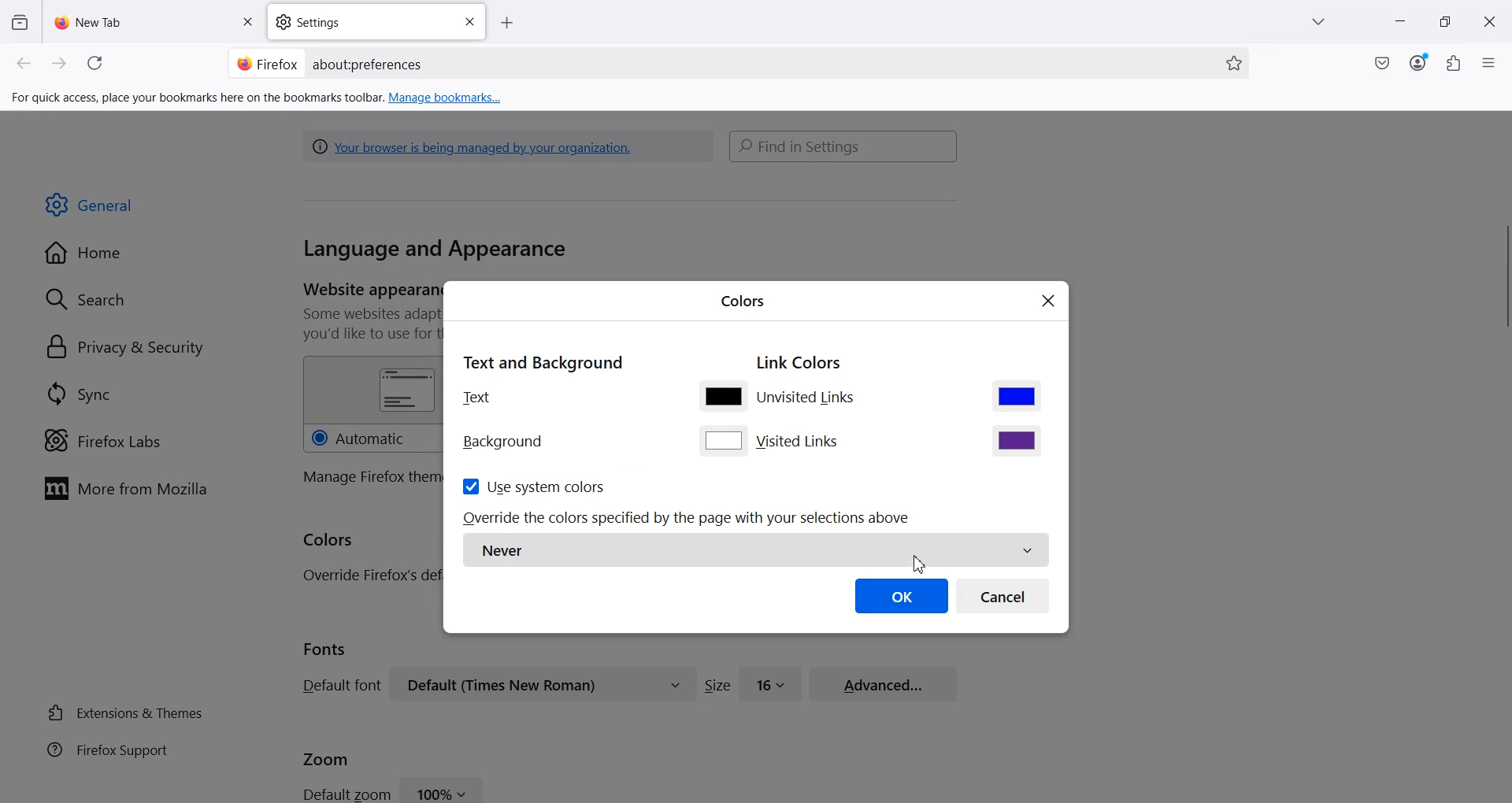 This screenshot has width=1512, height=803. Describe the element at coordinates (258, 98) in the screenshot. I see `For quick access, place your bookmarks here on the bookmarks toolbar. Manage bookmarks...` at that location.